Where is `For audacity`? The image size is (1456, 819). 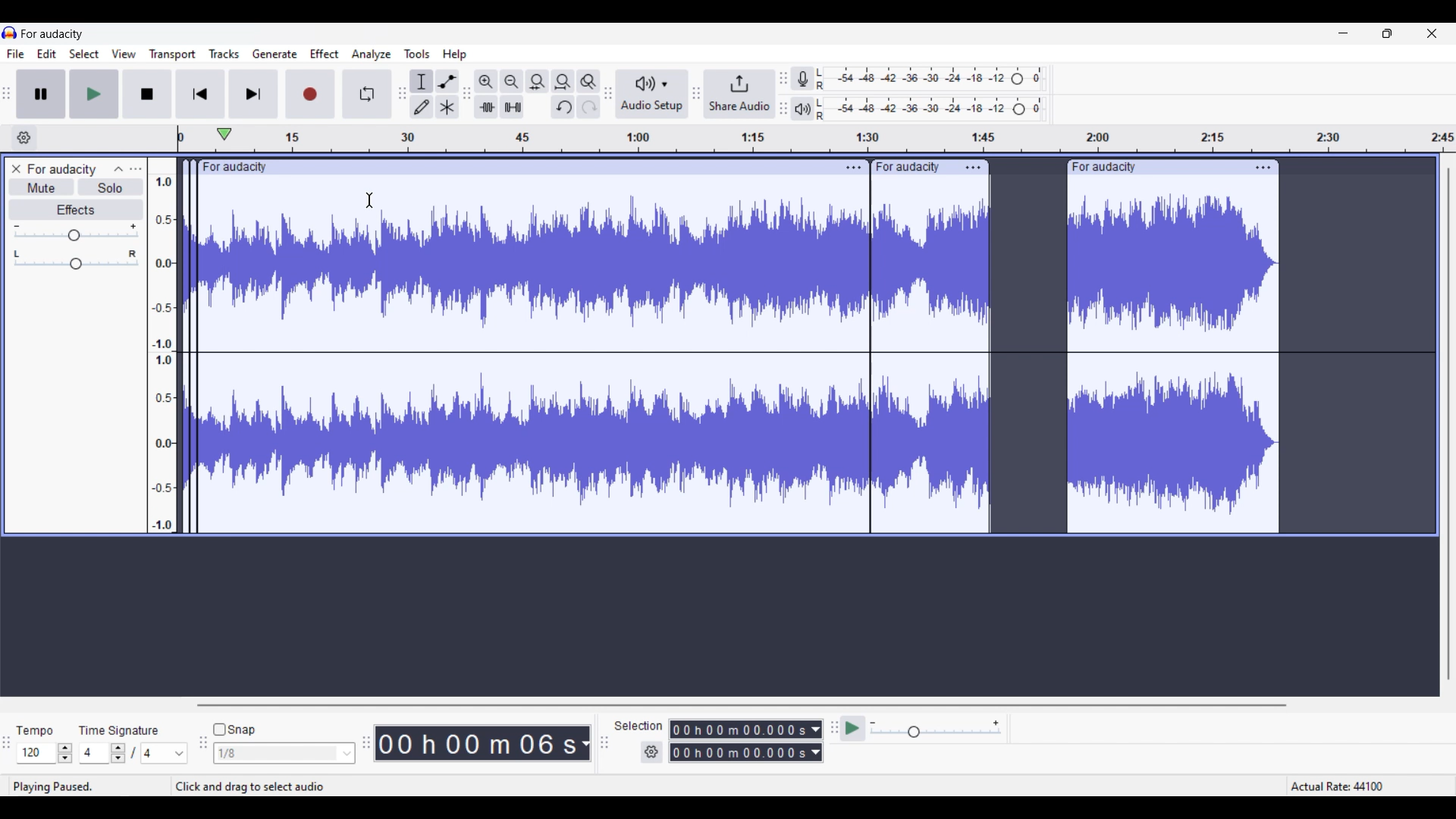
For audacity is located at coordinates (52, 33).